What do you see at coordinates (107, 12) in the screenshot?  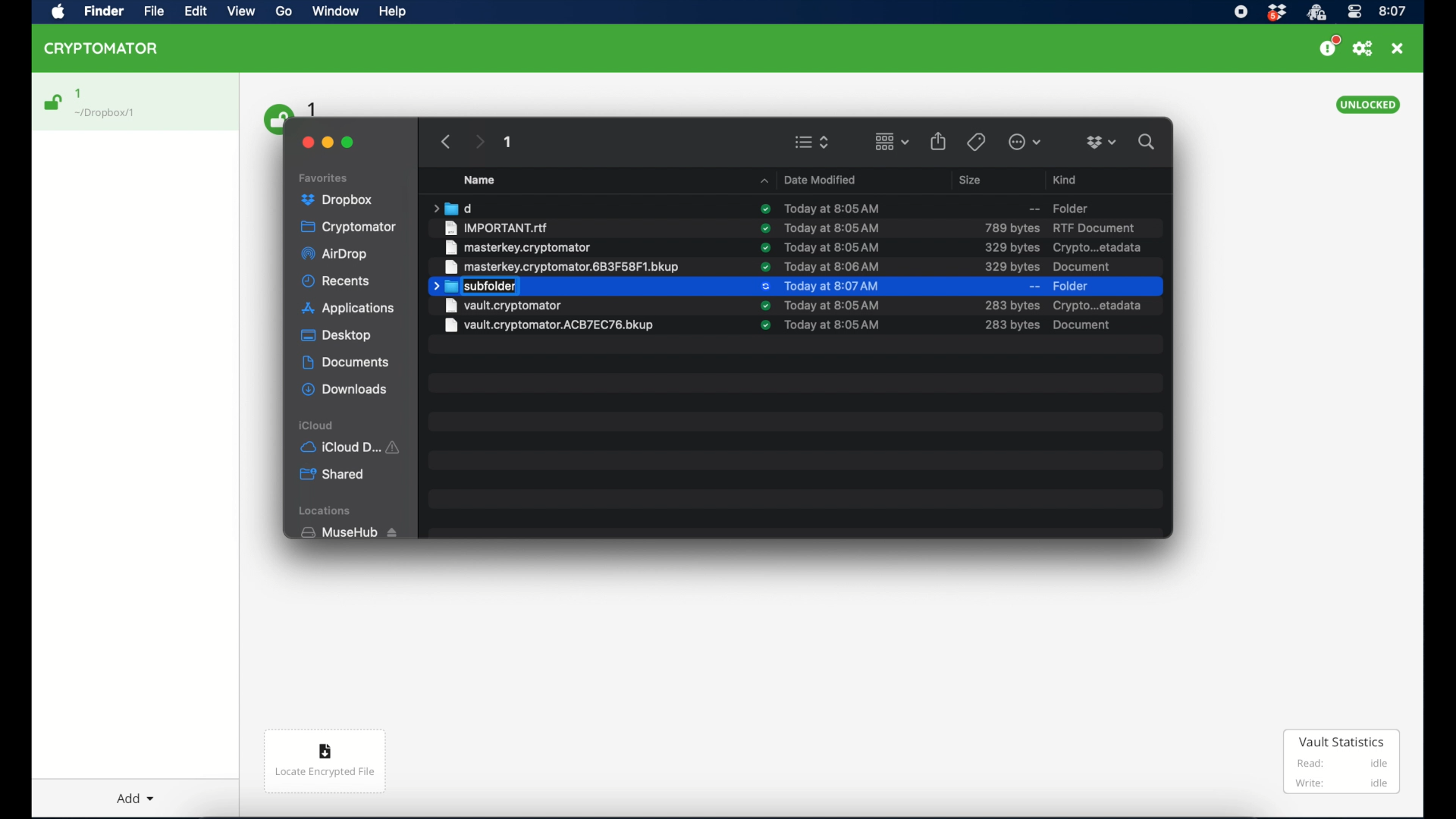 I see `Find` at bounding box center [107, 12].